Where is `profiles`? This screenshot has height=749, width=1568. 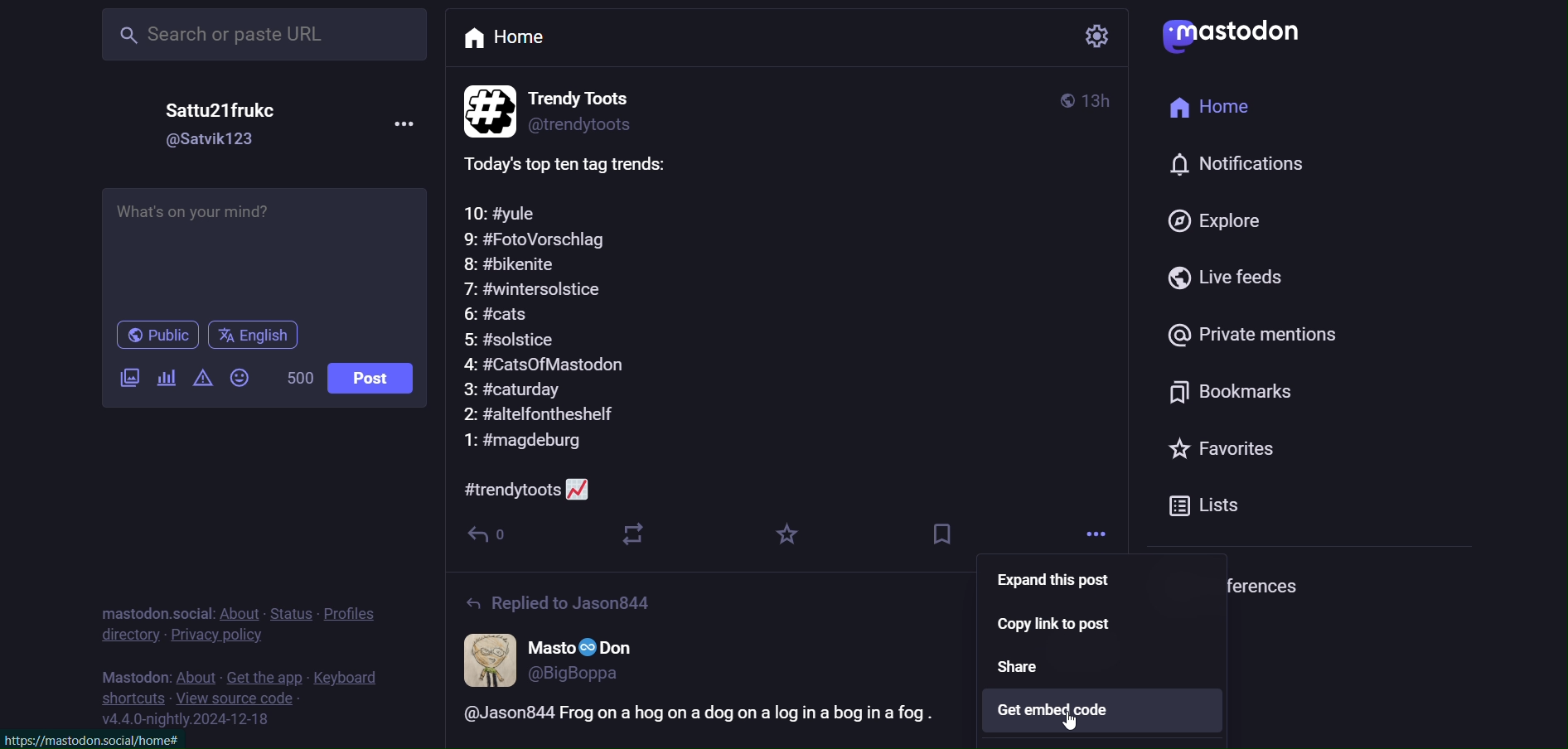
profiles is located at coordinates (358, 613).